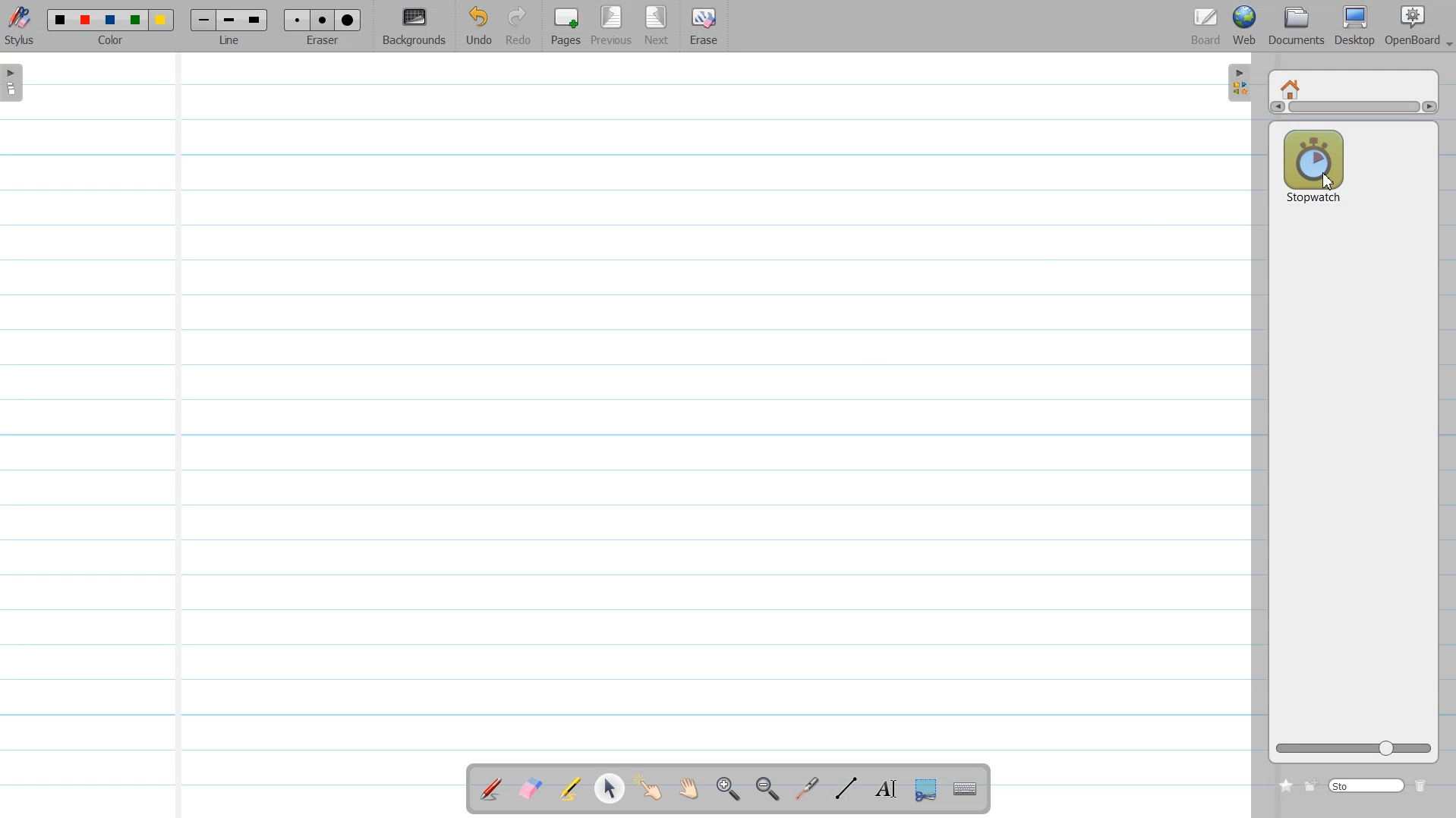 This screenshot has height=818, width=1456. Describe the element at coordinates (229, 27) in the screenshot. I see `Line` at that location.